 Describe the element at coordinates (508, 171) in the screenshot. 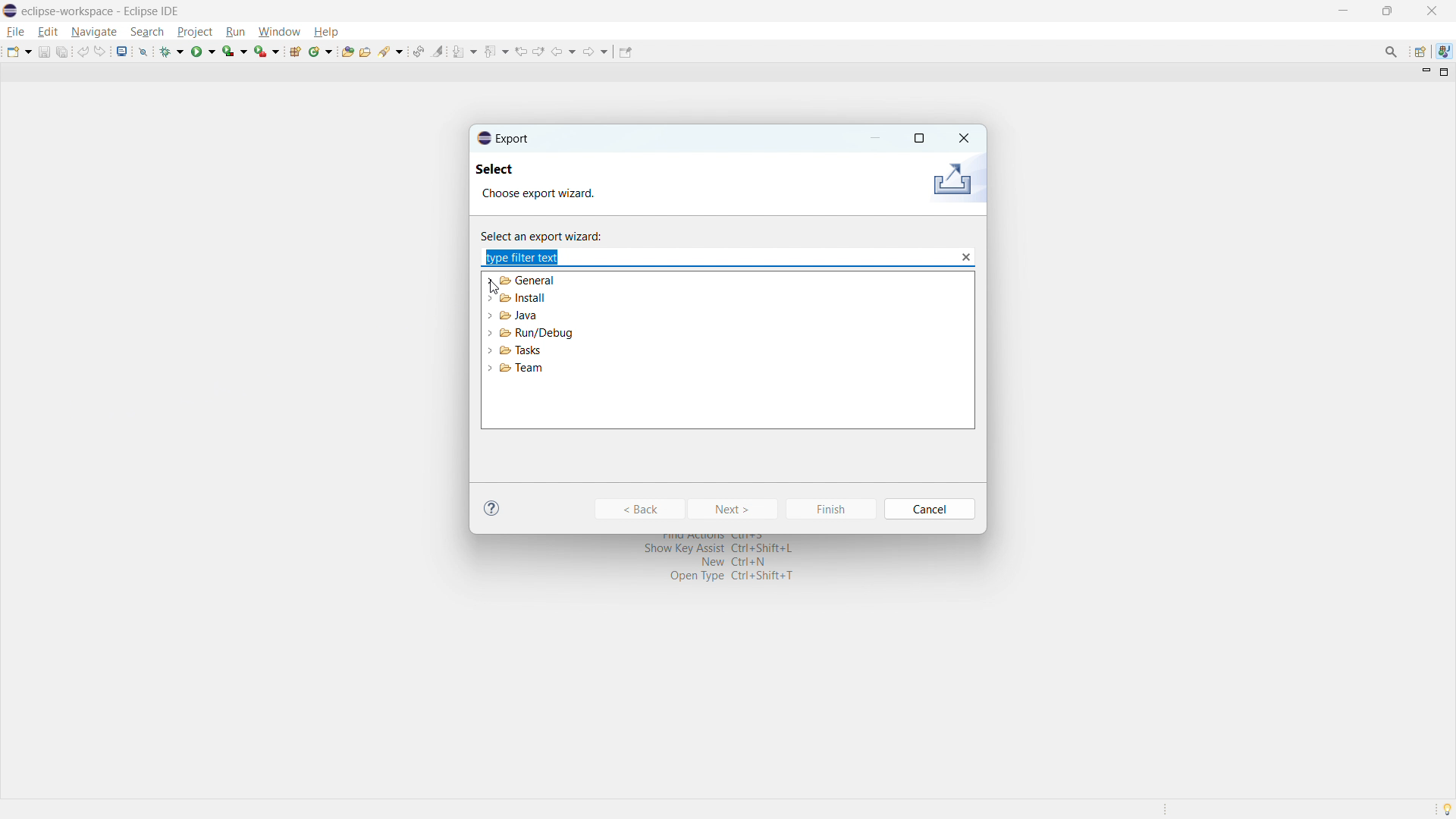

I see `Select` at that location.